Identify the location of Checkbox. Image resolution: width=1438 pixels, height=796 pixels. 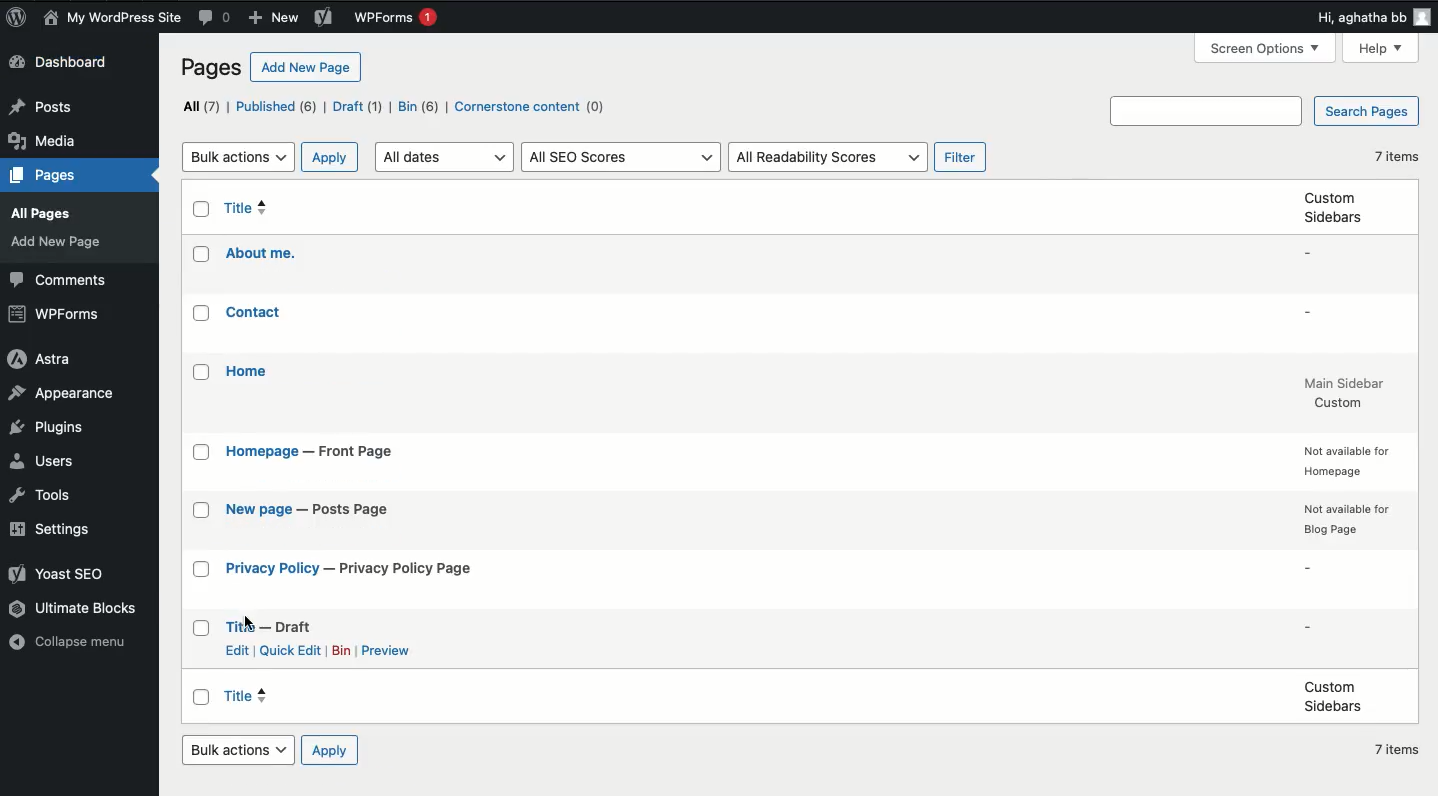
(202, 569).